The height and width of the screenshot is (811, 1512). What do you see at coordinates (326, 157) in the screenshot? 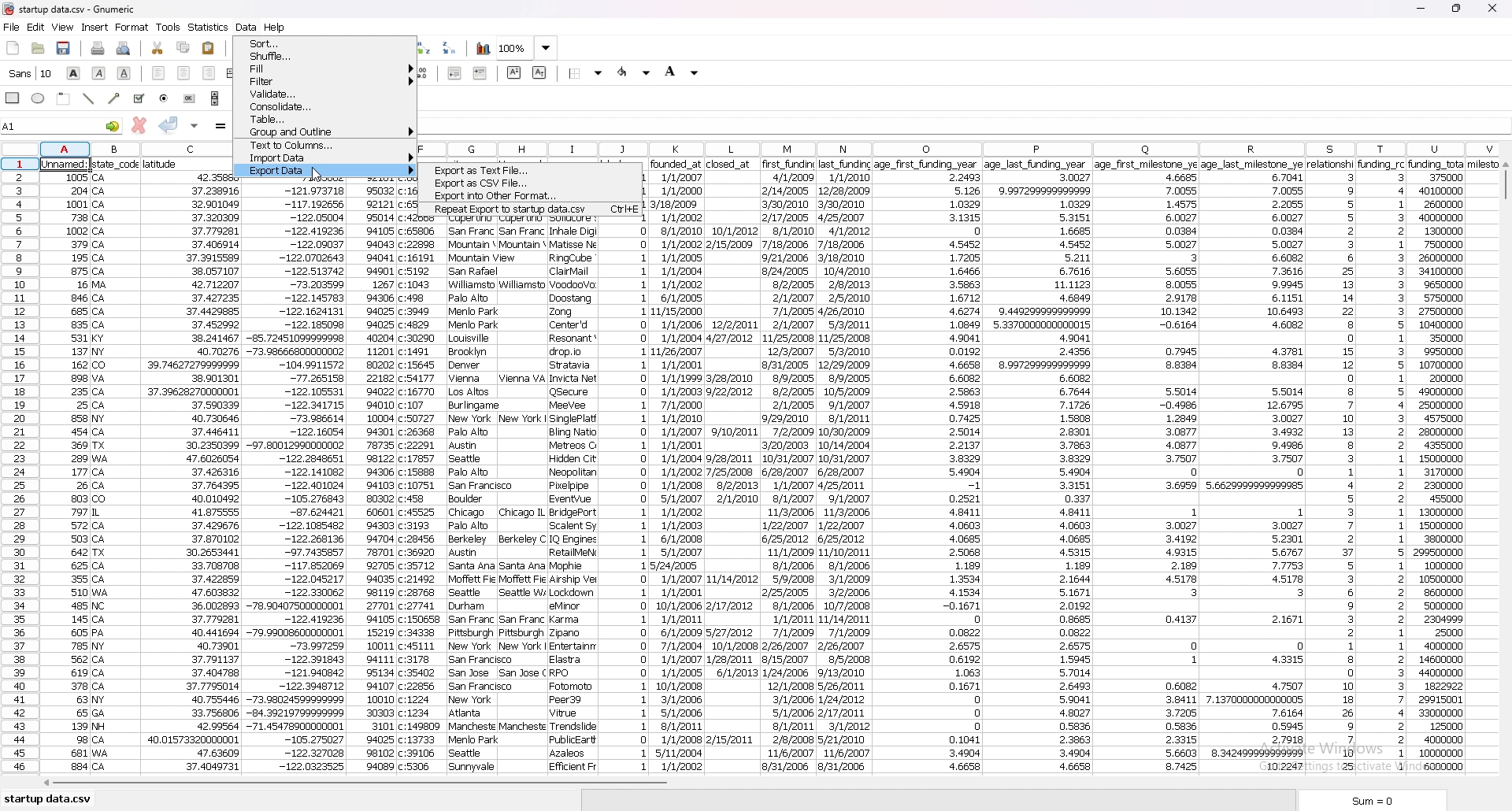
I see `import data` at bounding box center [326, 157].